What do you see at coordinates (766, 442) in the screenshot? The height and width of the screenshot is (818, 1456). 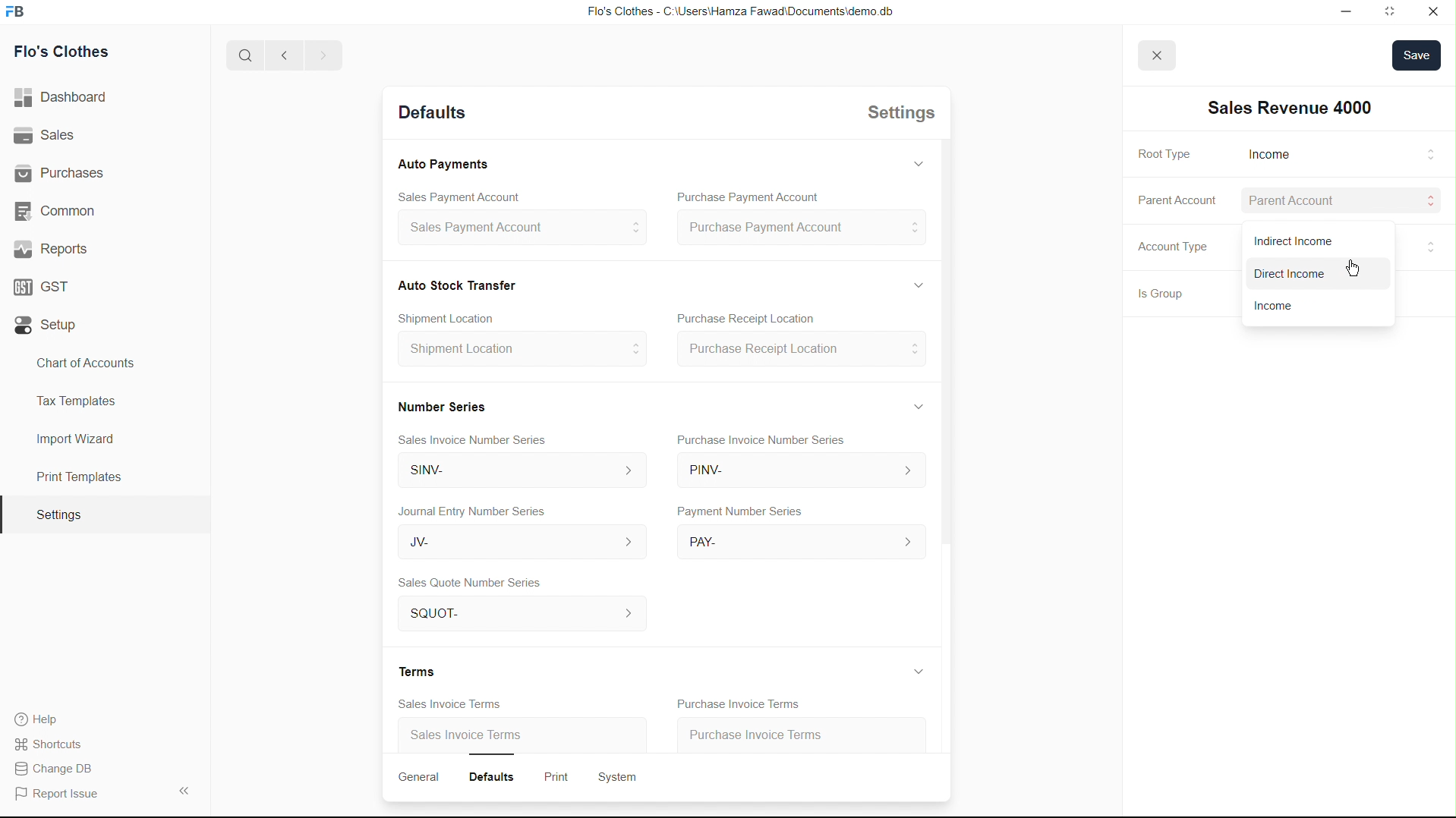 I see `Purchase Invoice Number Series` at bounding box center [766, 442].